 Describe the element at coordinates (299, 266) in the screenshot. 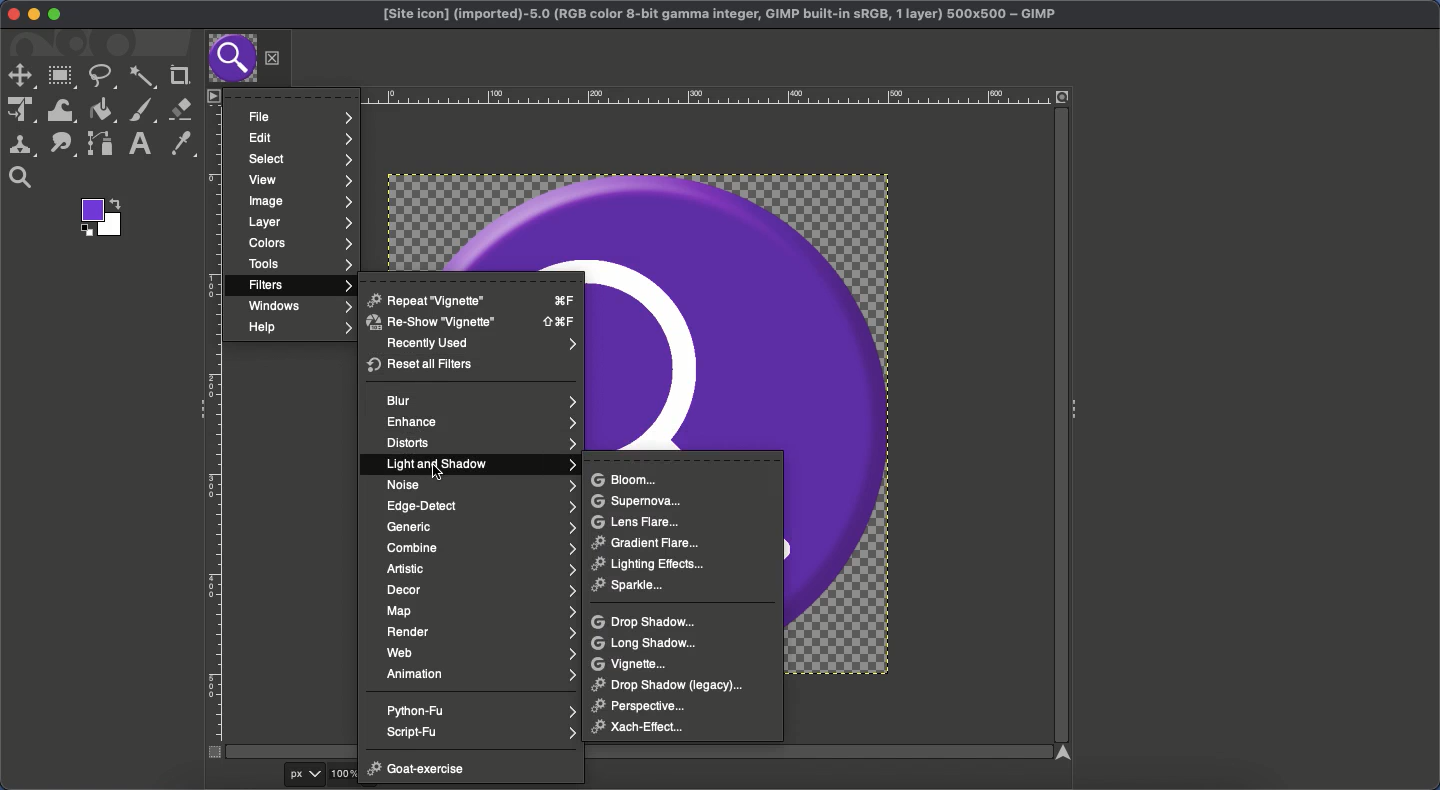

I see `Tools` at that location.